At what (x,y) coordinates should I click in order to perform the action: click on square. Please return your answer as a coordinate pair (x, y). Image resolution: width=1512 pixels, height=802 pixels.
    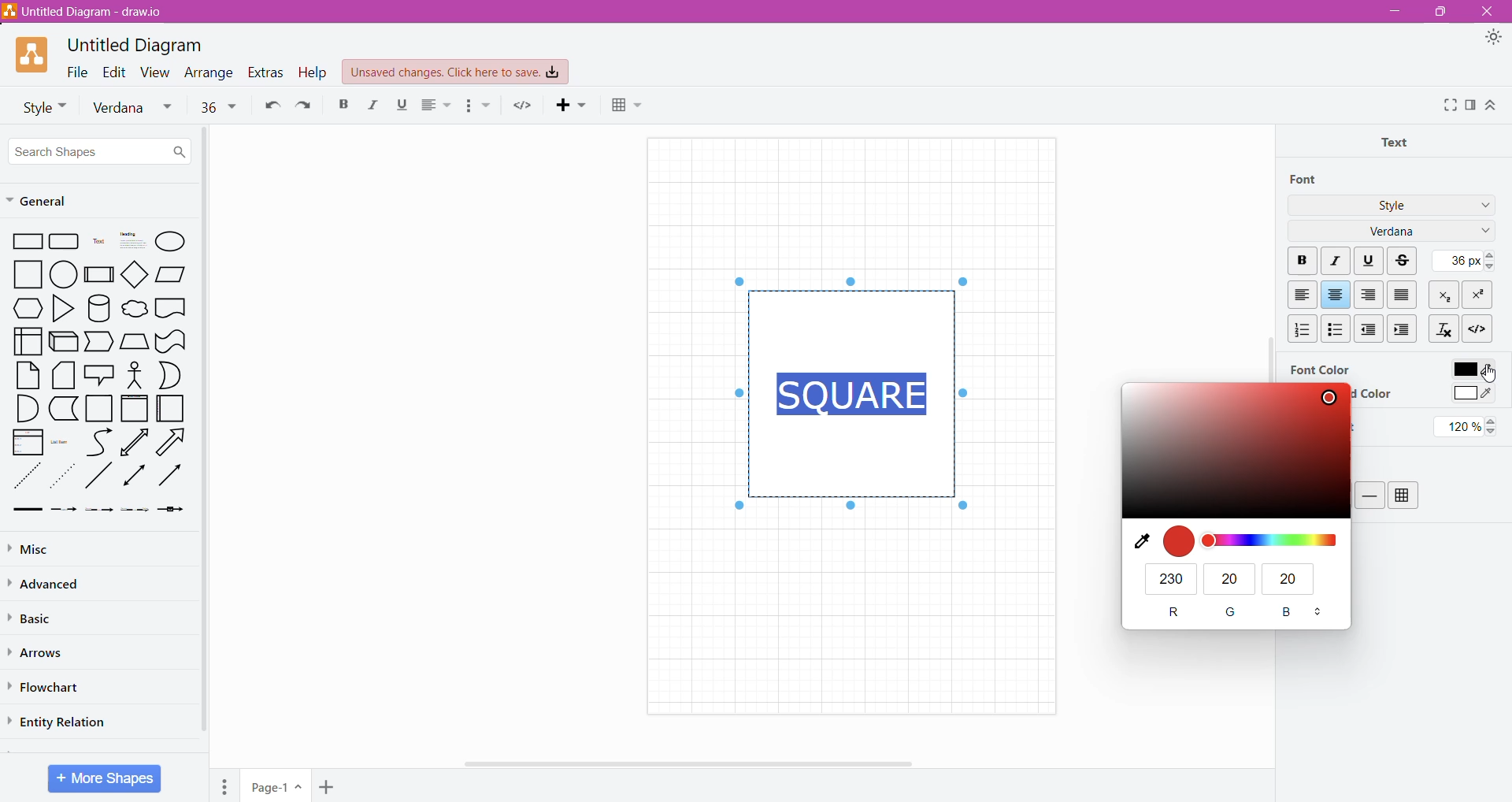
    Looking at the image, I should click on (23, 274).